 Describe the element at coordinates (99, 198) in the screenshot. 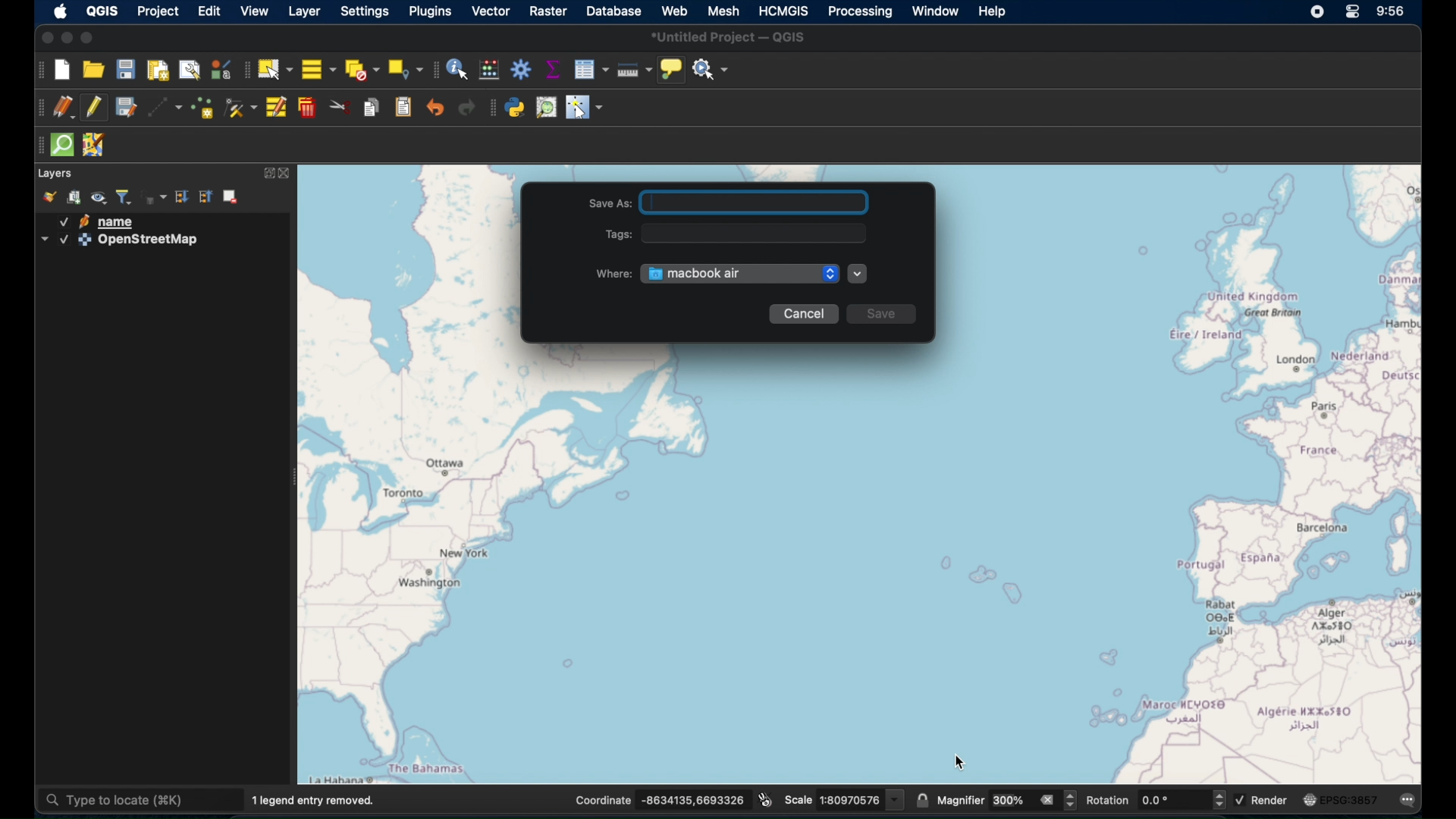

I see `manage map themes` at that location.